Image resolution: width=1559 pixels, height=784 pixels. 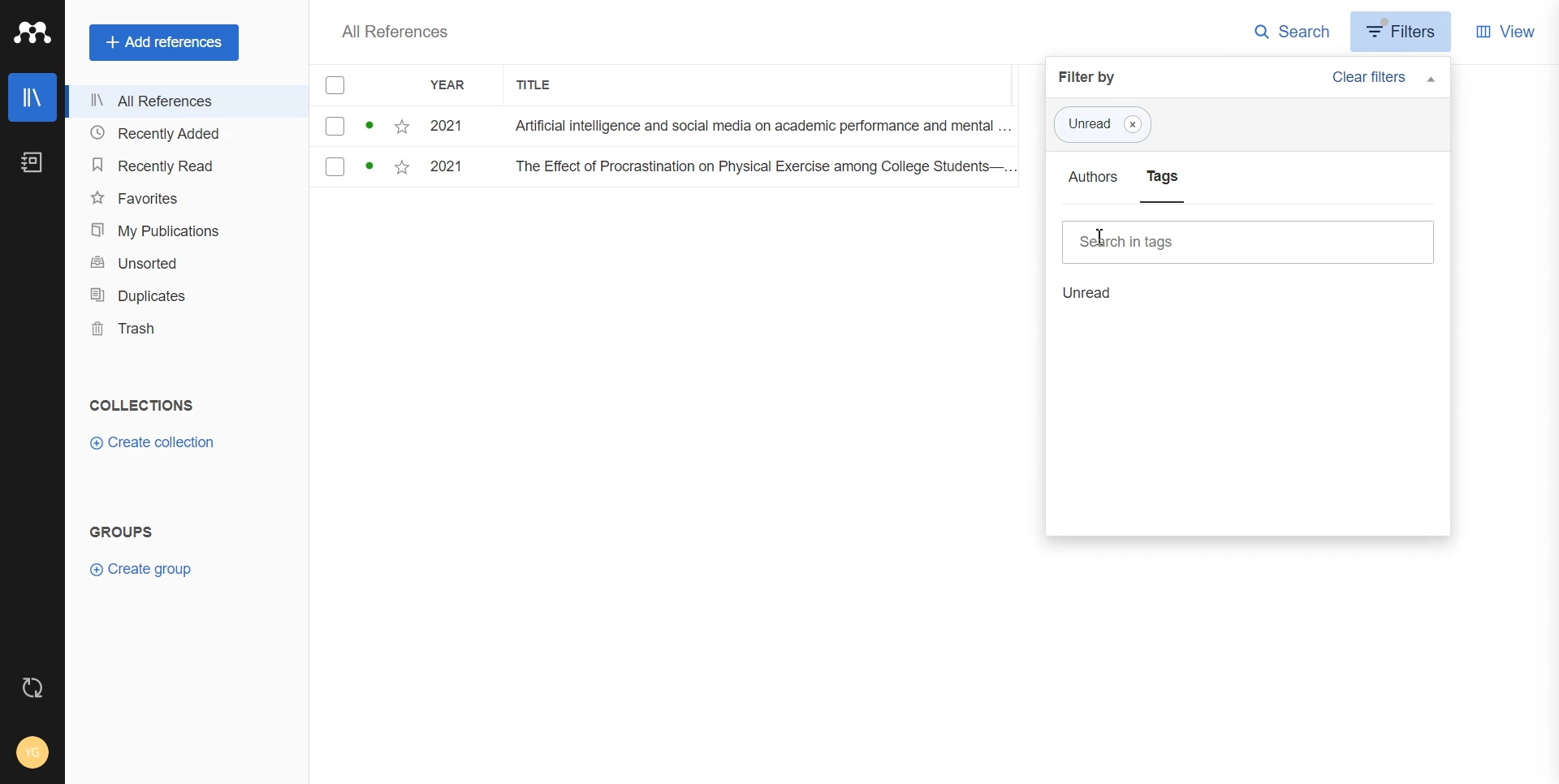 What do you see at coordinates (452, 127) in the screenshot?
I see `2021` at bounding box center [452, 127].